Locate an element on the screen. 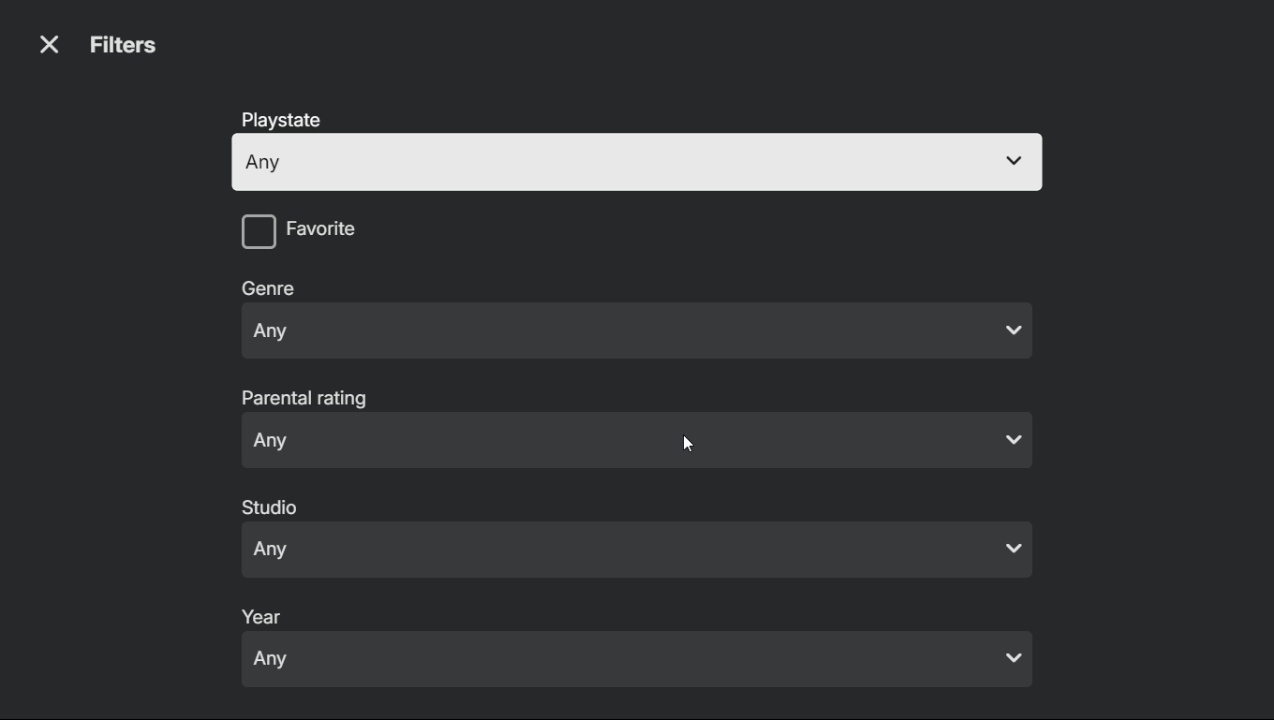 This screenshot has width=1274, height=720. Any is located at coordinates (637, 441).